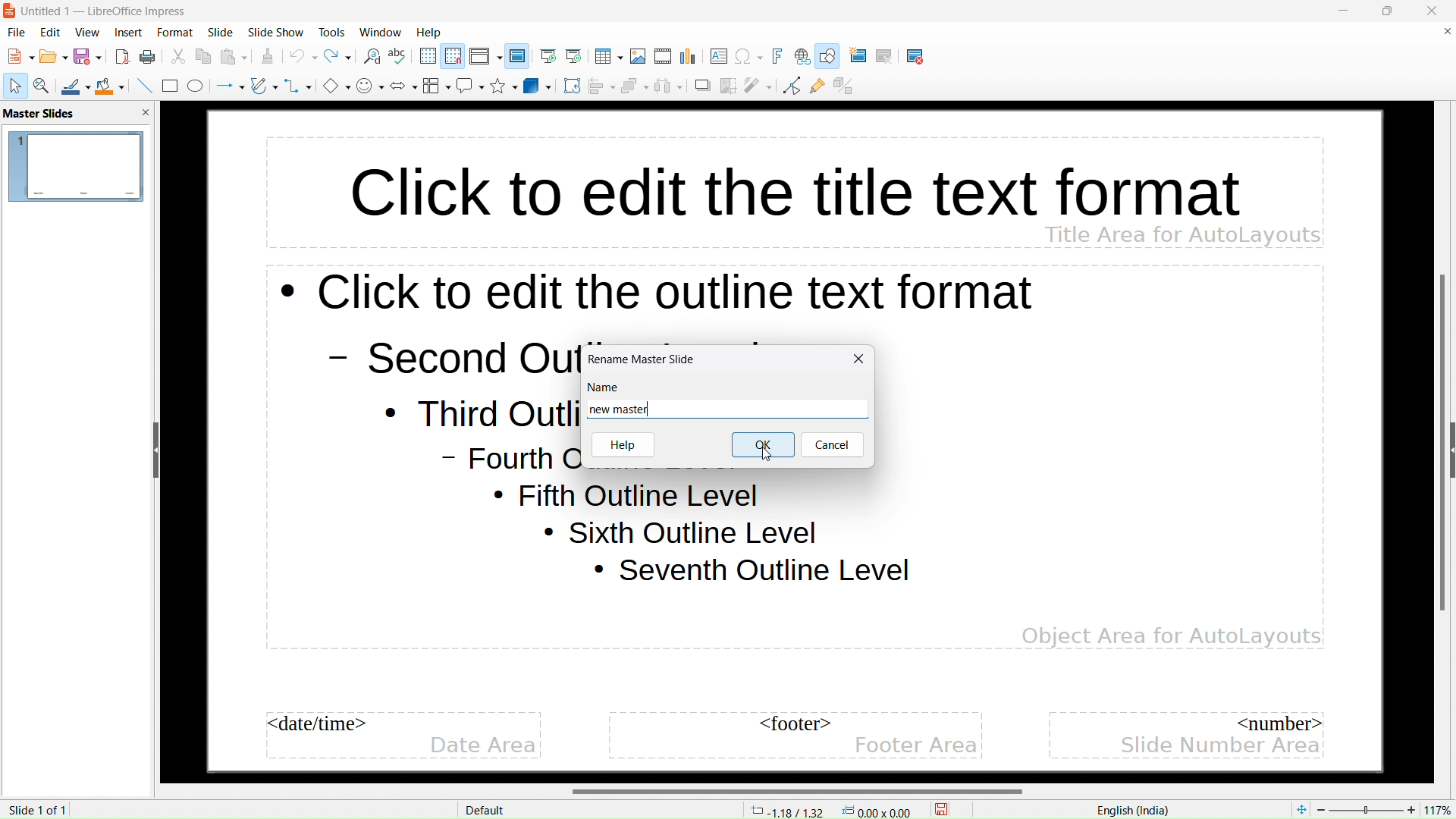 The height and width of the screenshot is (819, 1456). Describe the element at coordinates (877, 811) in the screenshot. I see `dimensions` at that location.